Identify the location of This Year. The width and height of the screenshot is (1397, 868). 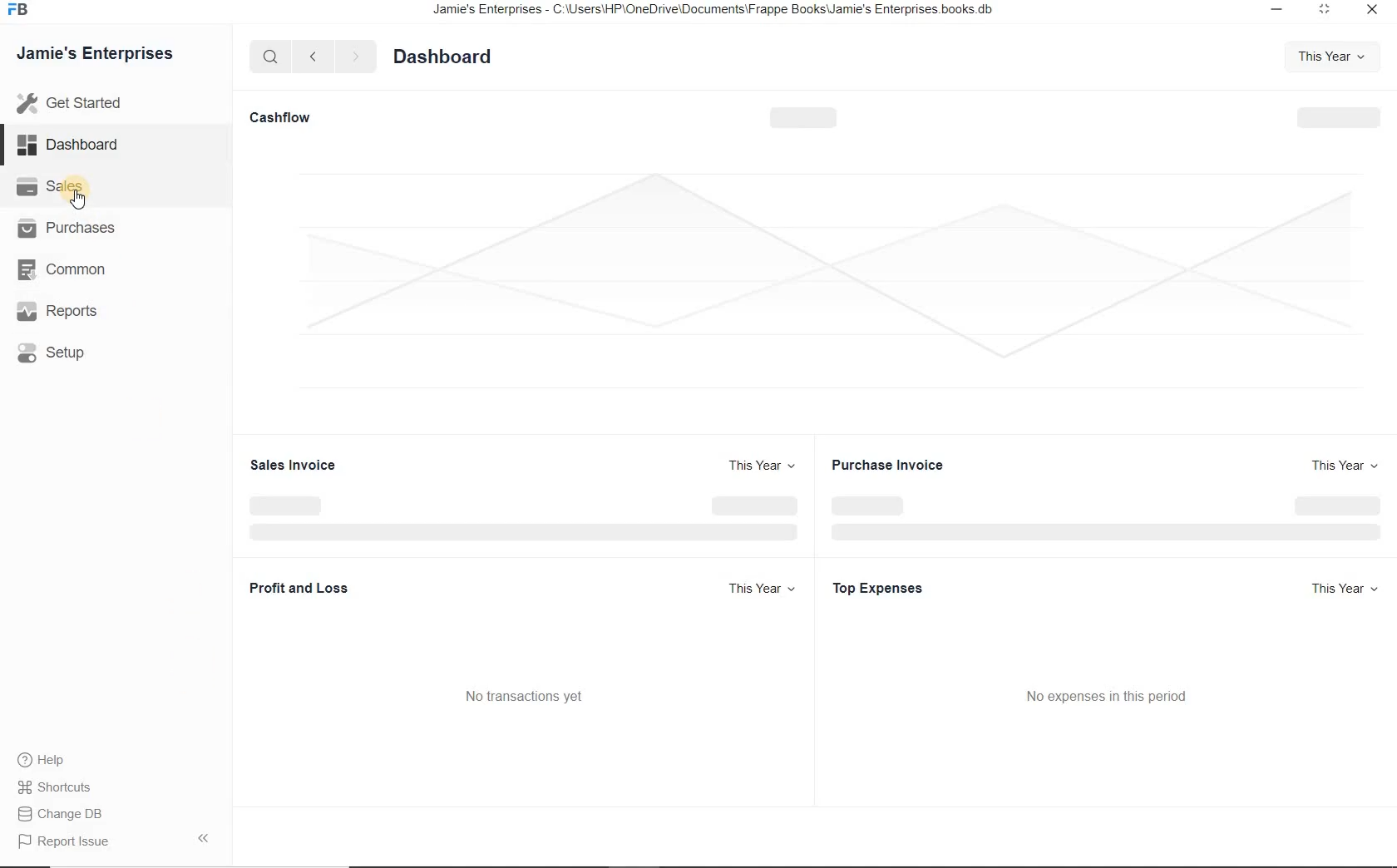
(1325, 57).